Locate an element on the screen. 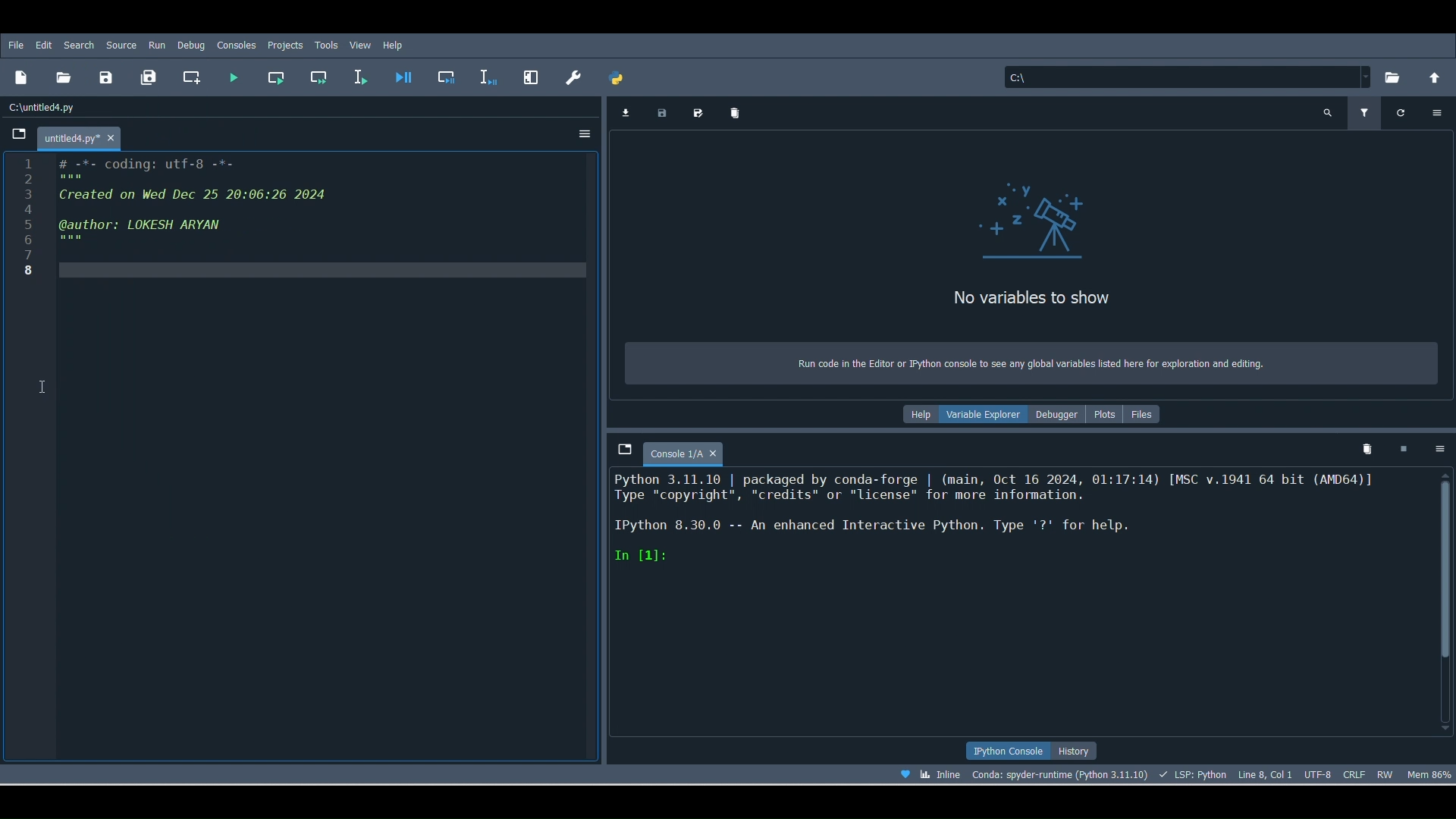 The height and width of the screenshot is (819, 1456). Create new cell at the current line (Ctrl + 2) is located at coordinates (192, 77).